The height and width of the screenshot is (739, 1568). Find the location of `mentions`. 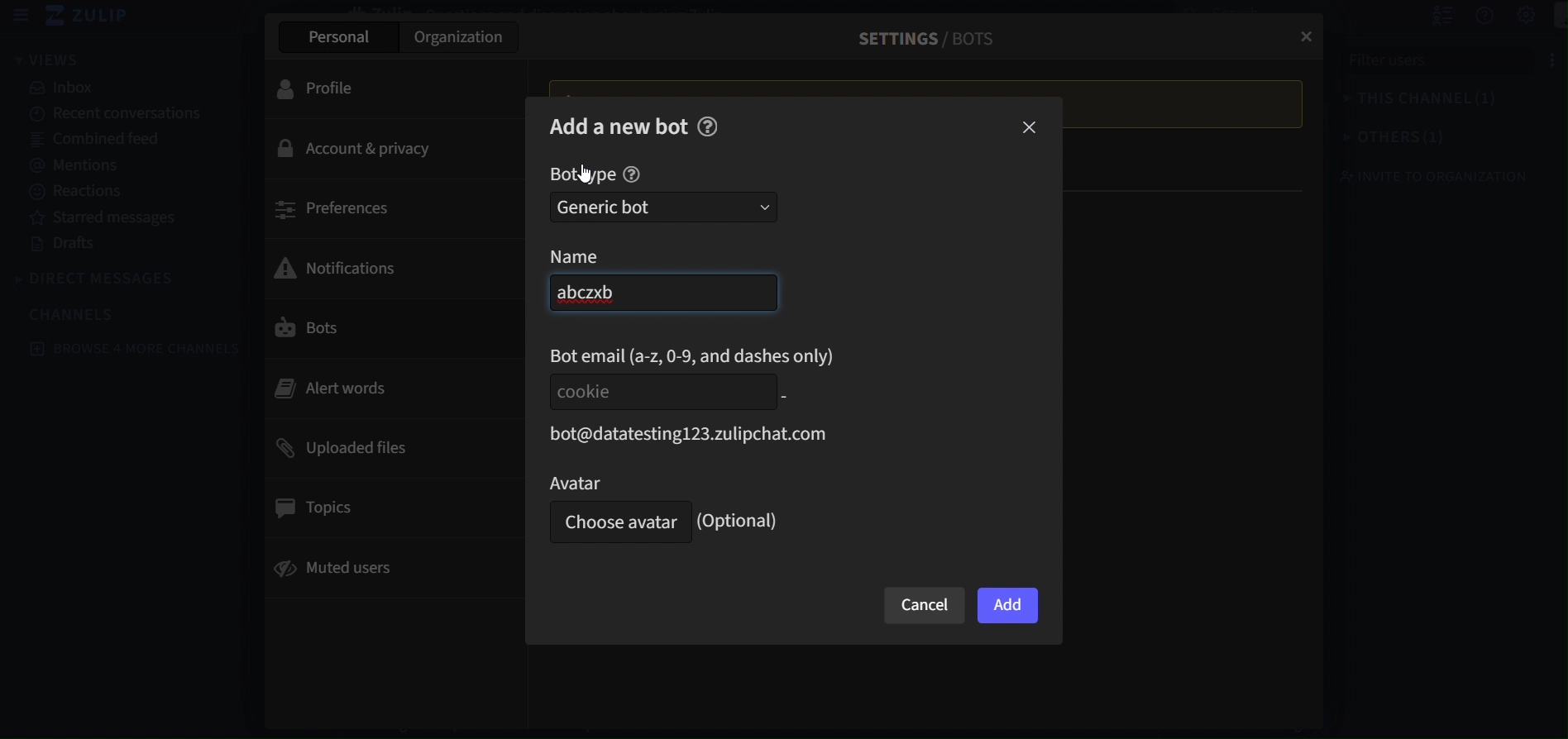

mentions is located at coordinates (122, 163).